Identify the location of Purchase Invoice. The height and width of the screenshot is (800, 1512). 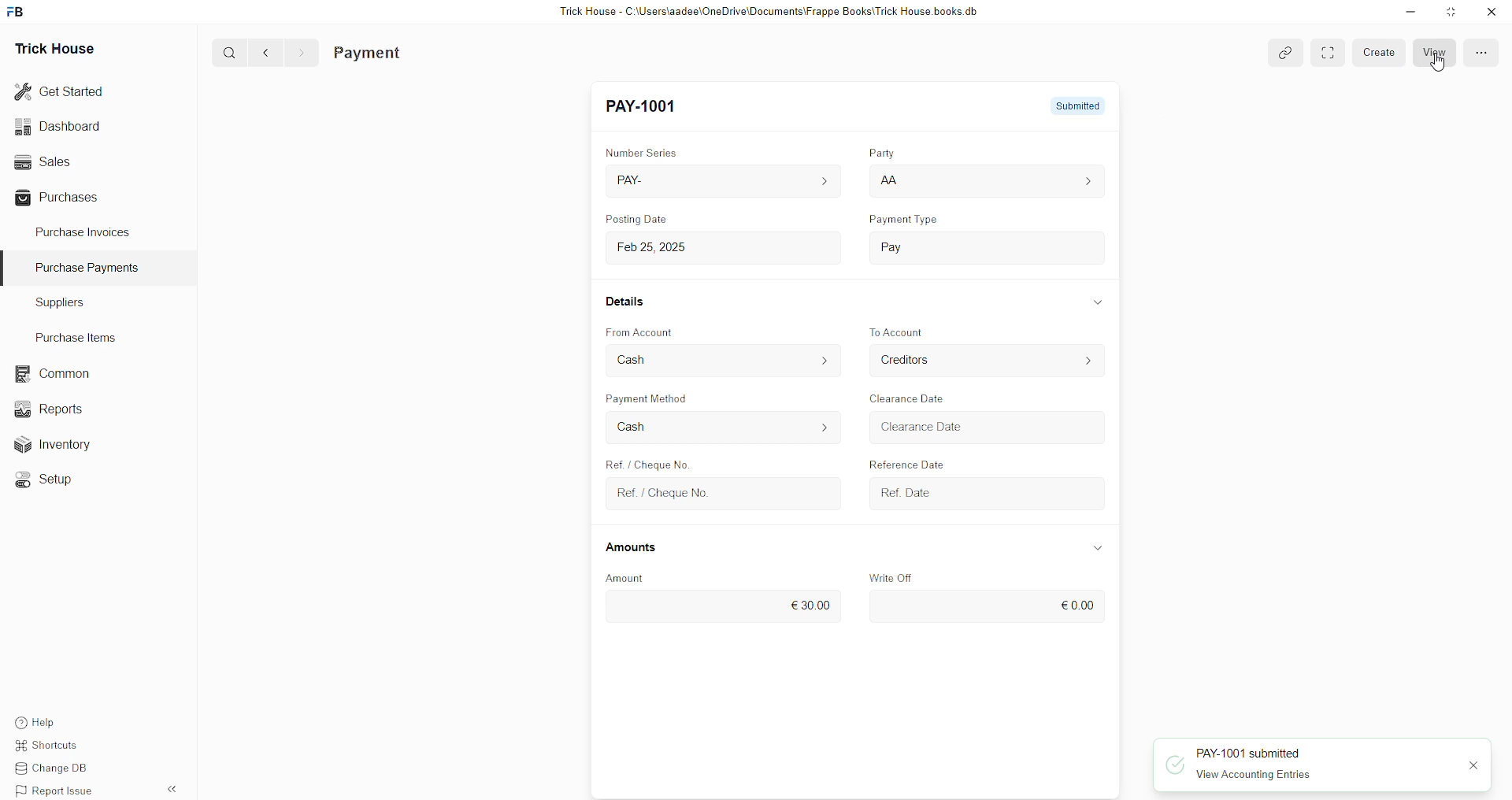
(406, 53).